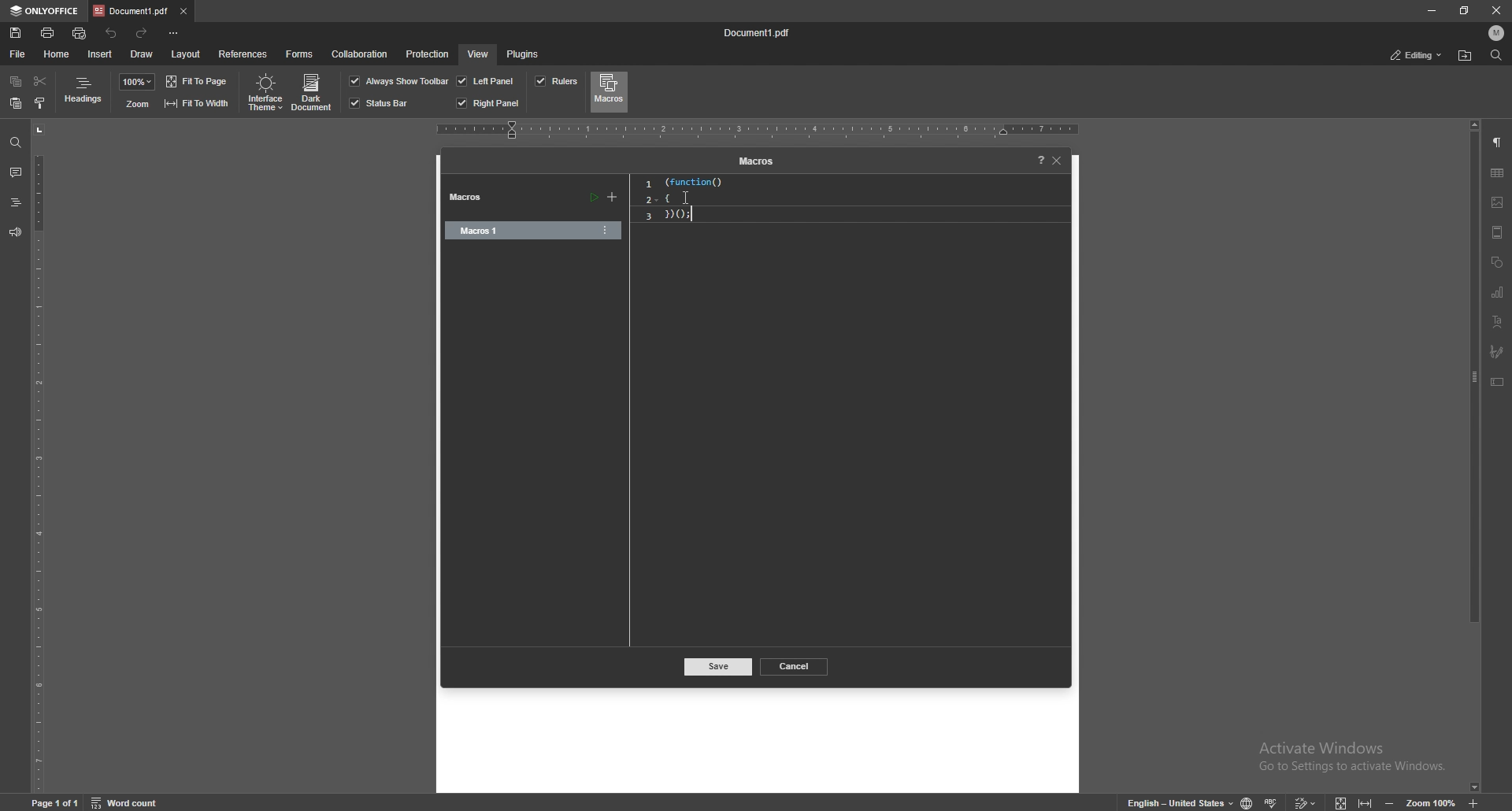  I want to click on (function), so click(688, 182).